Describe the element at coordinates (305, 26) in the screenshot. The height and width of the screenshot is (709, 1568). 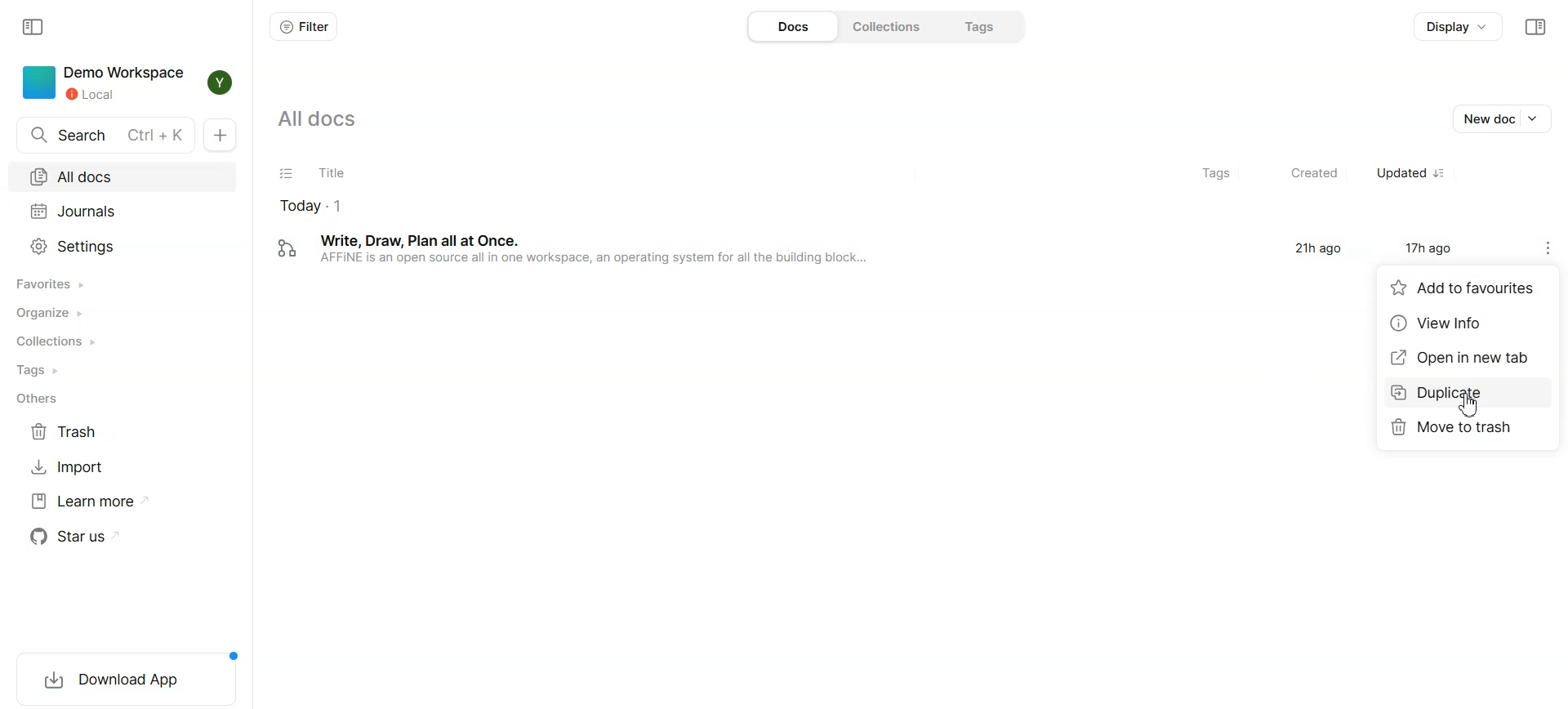
I see `Filter` at that location.